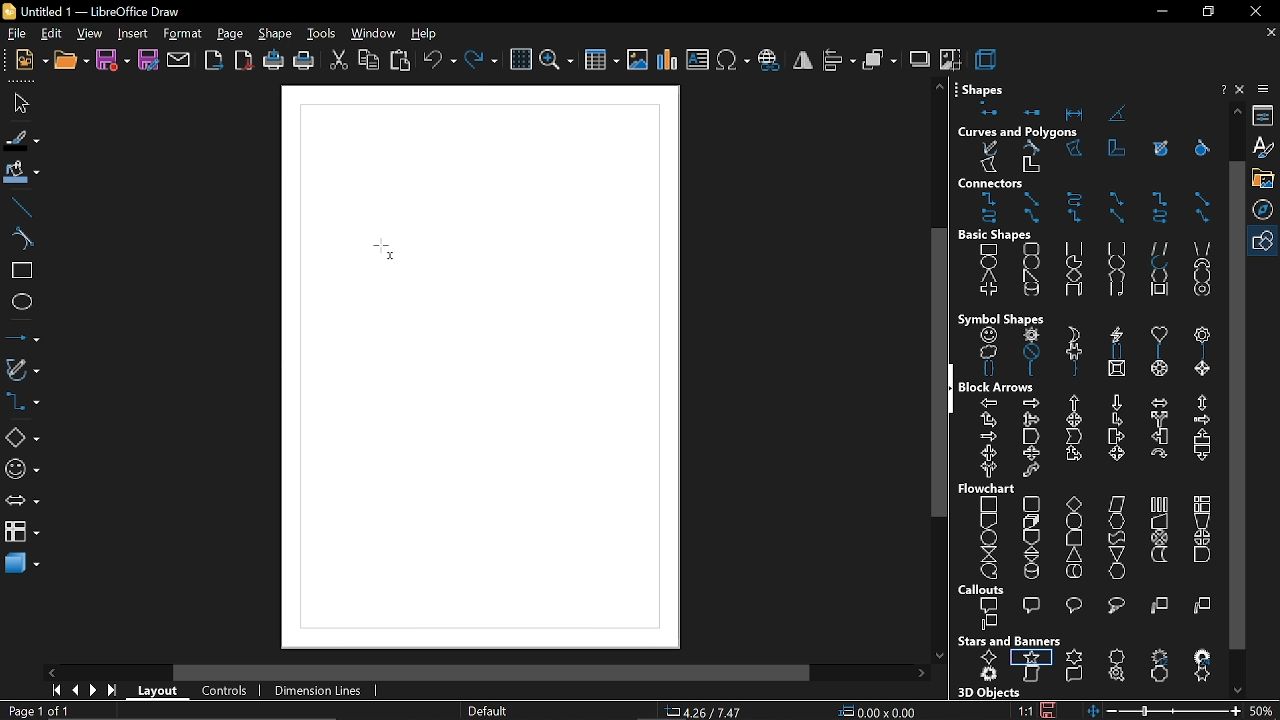 The image size is (1280, 720). What do you see at coordinates (386, 248) in the screenshot?
I see `Cursor` at bounding box center [386, 248].